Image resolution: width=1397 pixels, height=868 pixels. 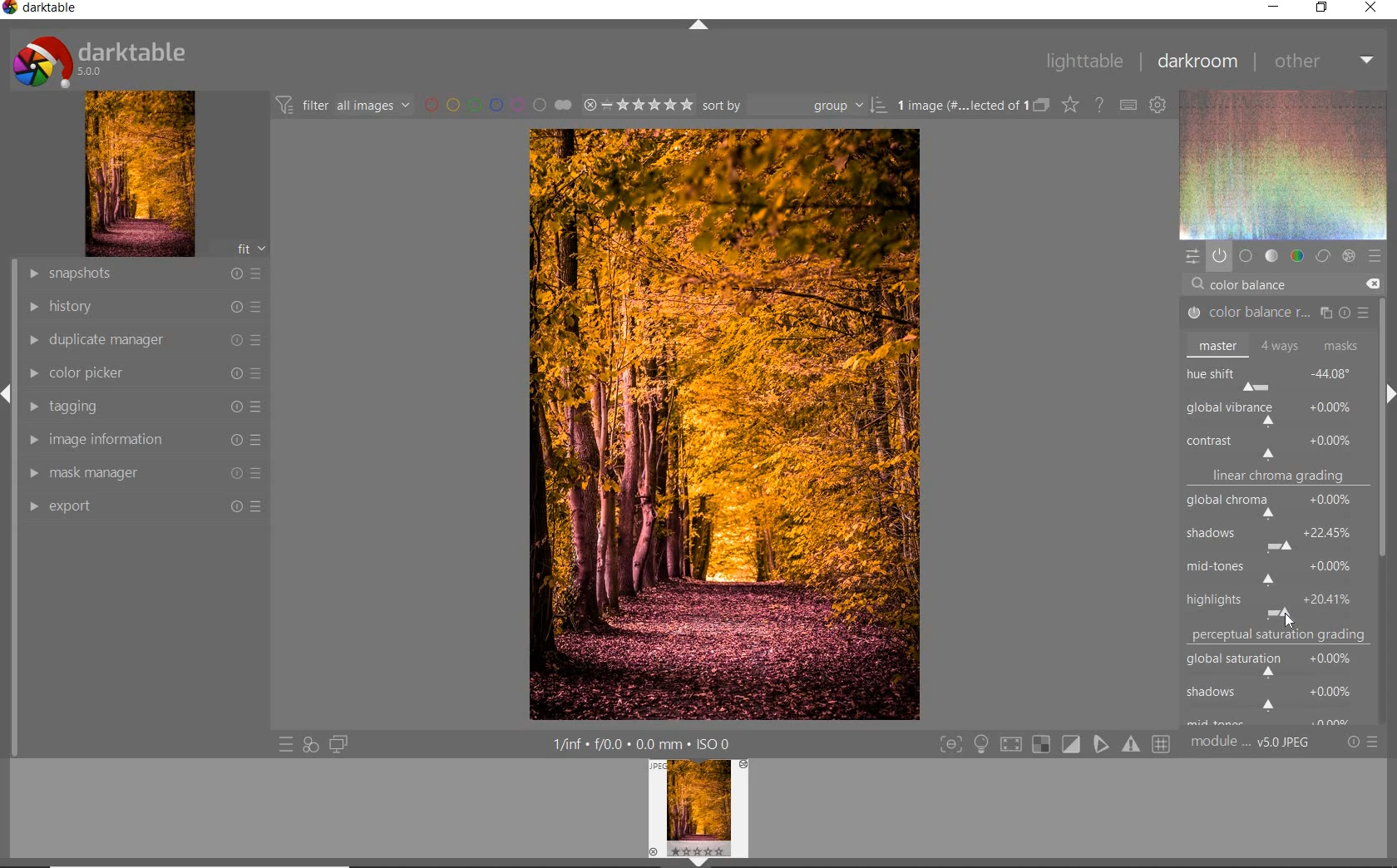 What do you see at coordinates (342, 106) in the screenshot?
I see `filter images` at bounding box center [342, 106].